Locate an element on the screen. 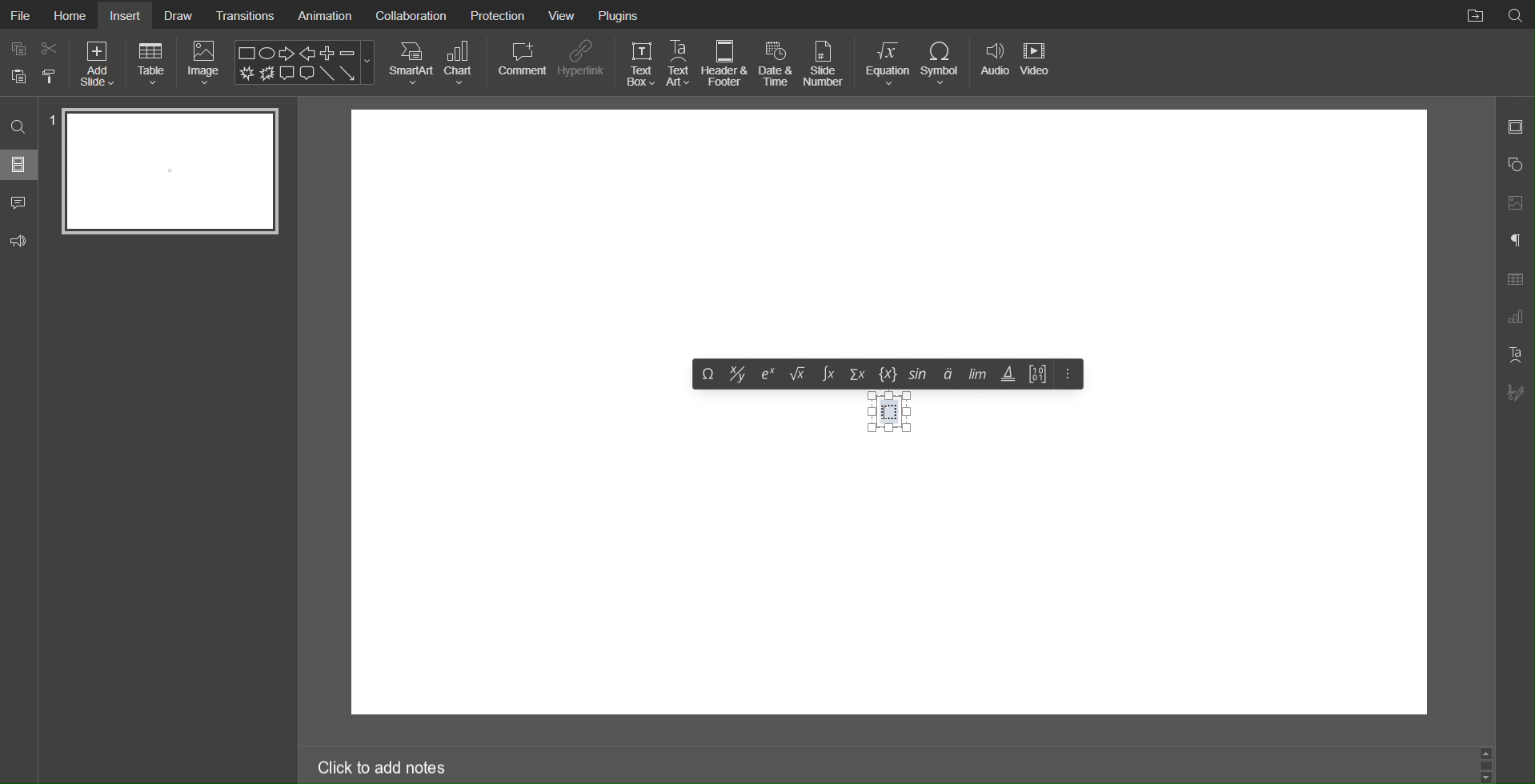 Image resolution: width=1535 pixels, height=784 pixels. Paragraph Settings is located at coordinates (1513, 241).